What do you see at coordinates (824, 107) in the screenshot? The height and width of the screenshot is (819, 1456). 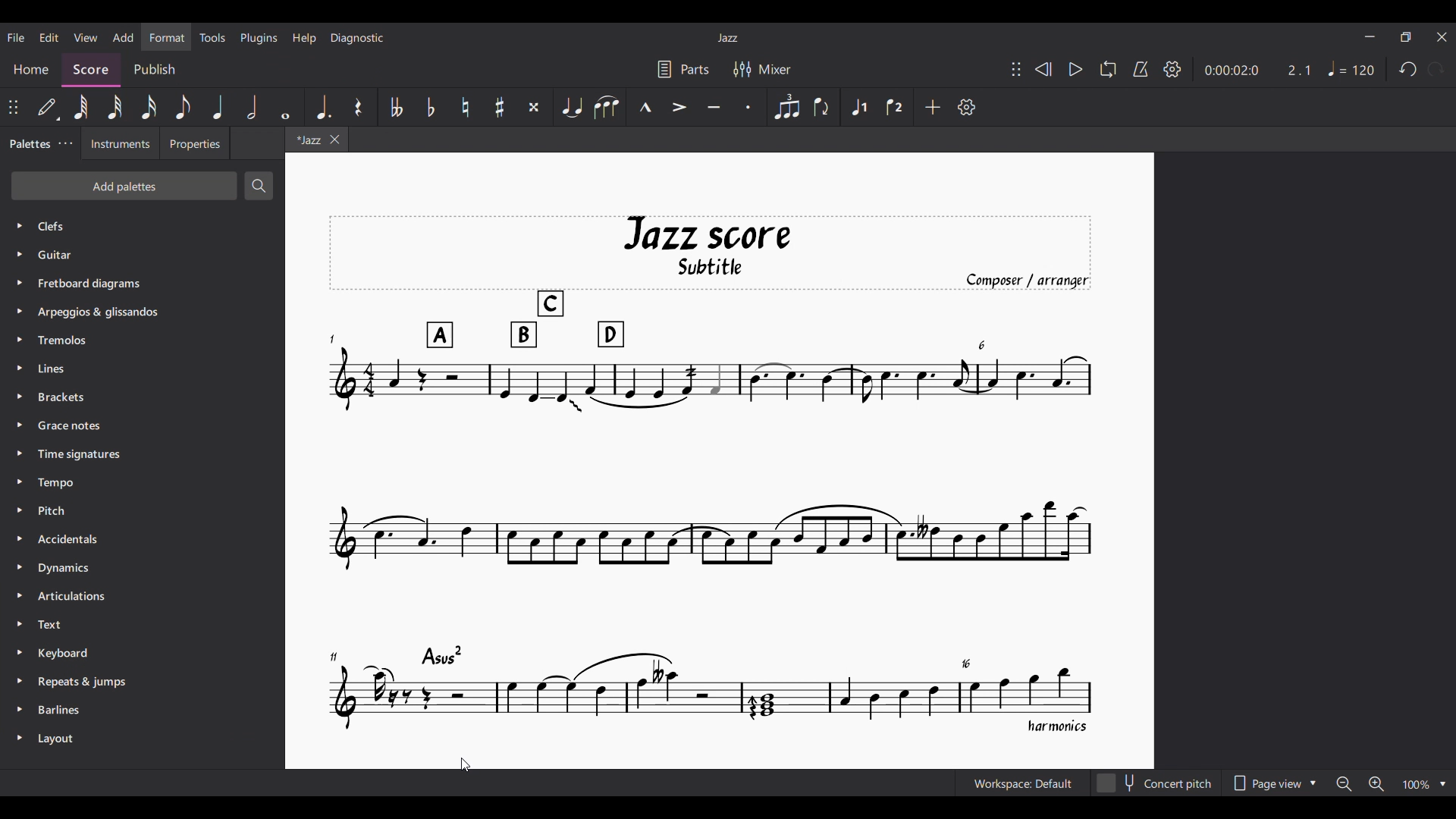 I see `Flip direction` at bounding box center [824, 107].